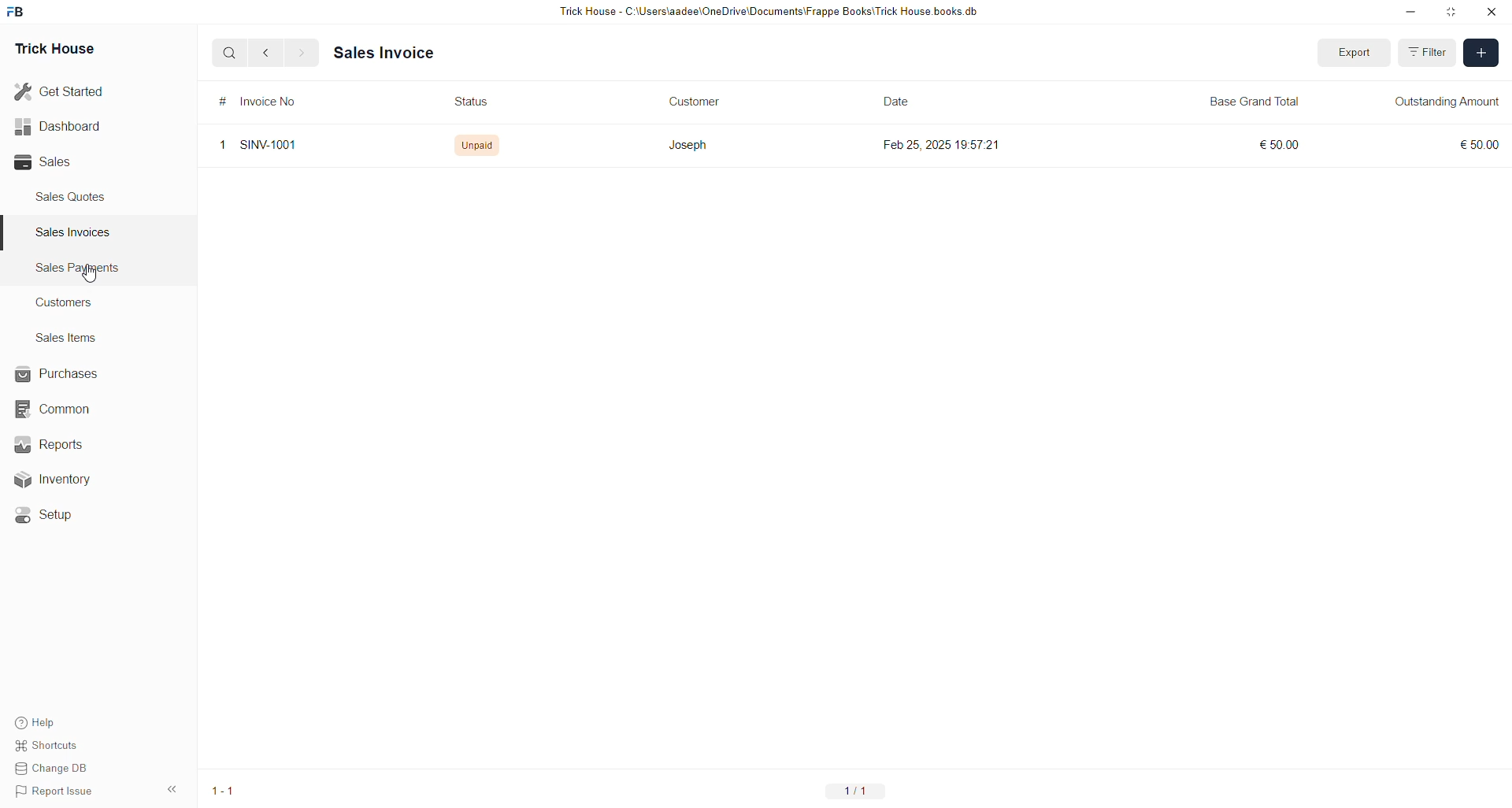 The width and height of the screenshot is (1512, 808). I want to click on Sales Invoice, so click(380, 53).